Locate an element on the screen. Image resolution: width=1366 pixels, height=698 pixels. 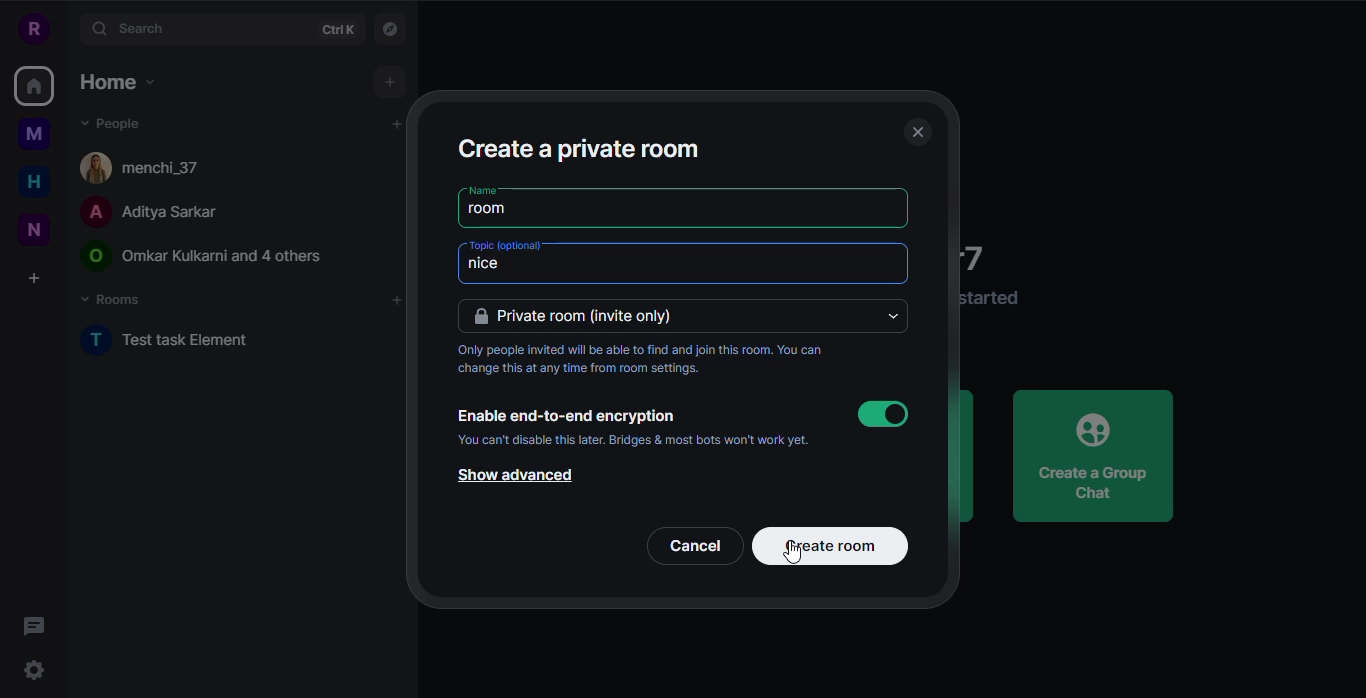
people is located at coordinates (112, 122).